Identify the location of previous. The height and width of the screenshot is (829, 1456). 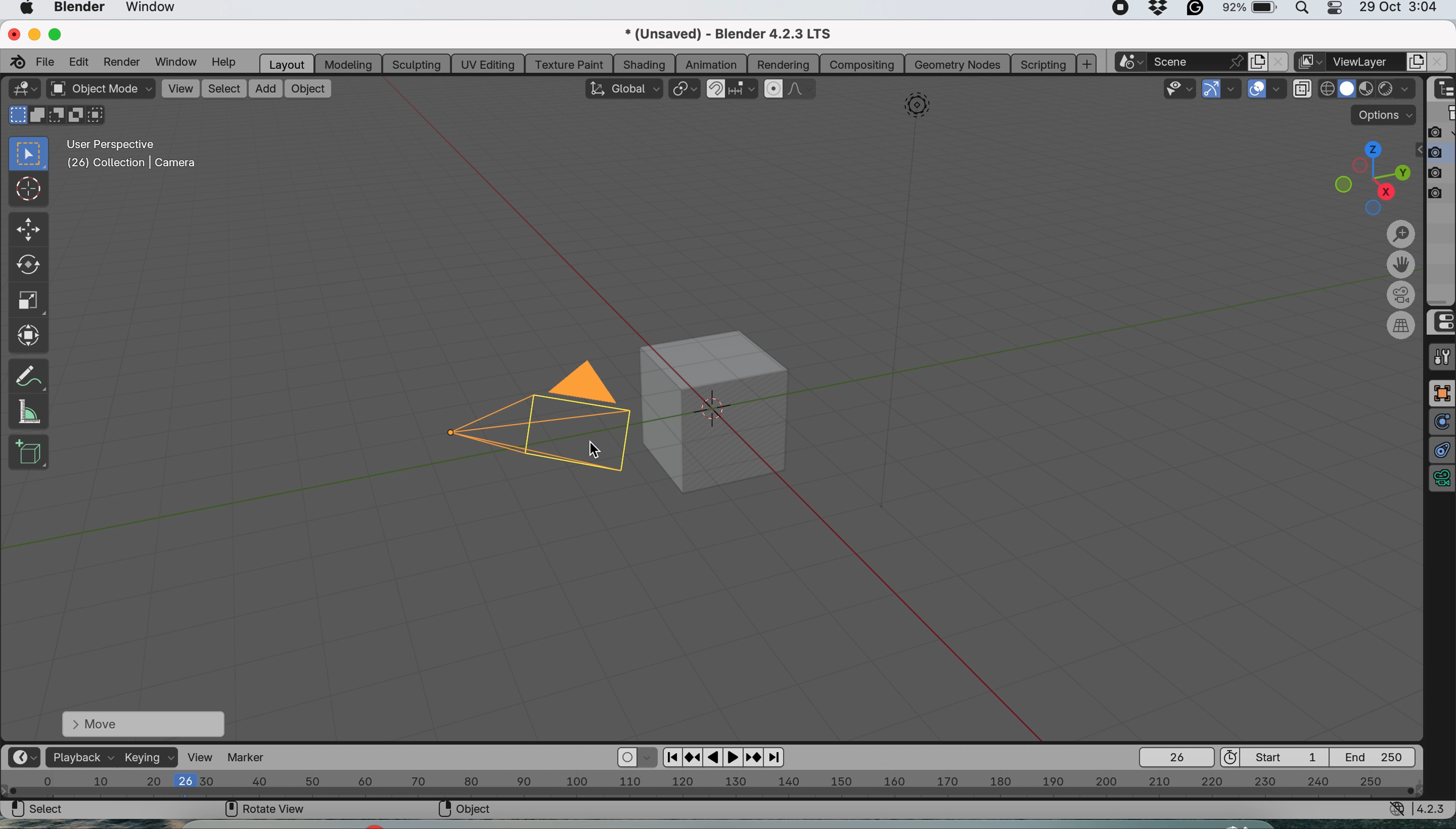
(670, 756).